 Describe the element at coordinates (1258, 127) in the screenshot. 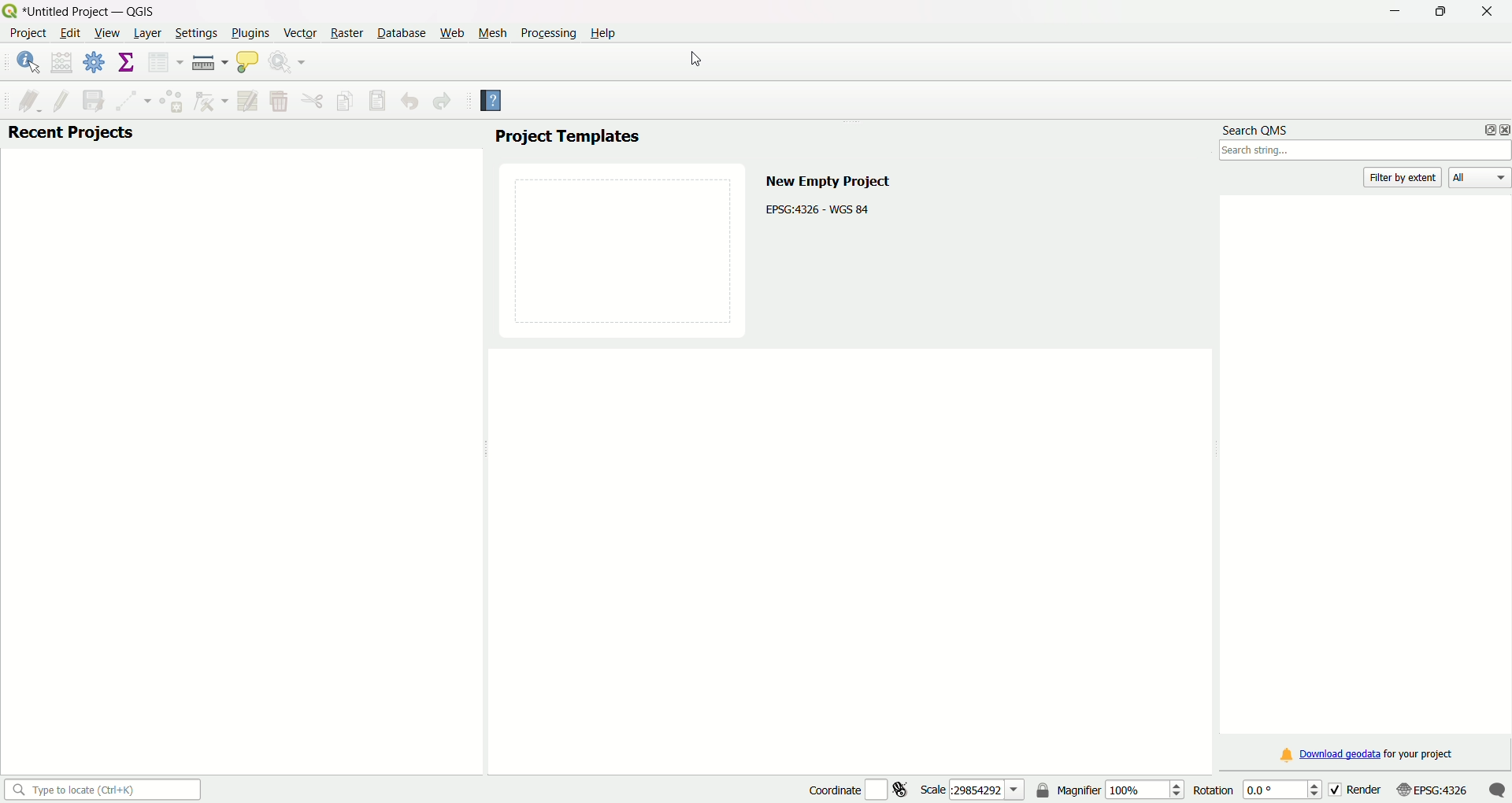

I see `search QMS` at that location.